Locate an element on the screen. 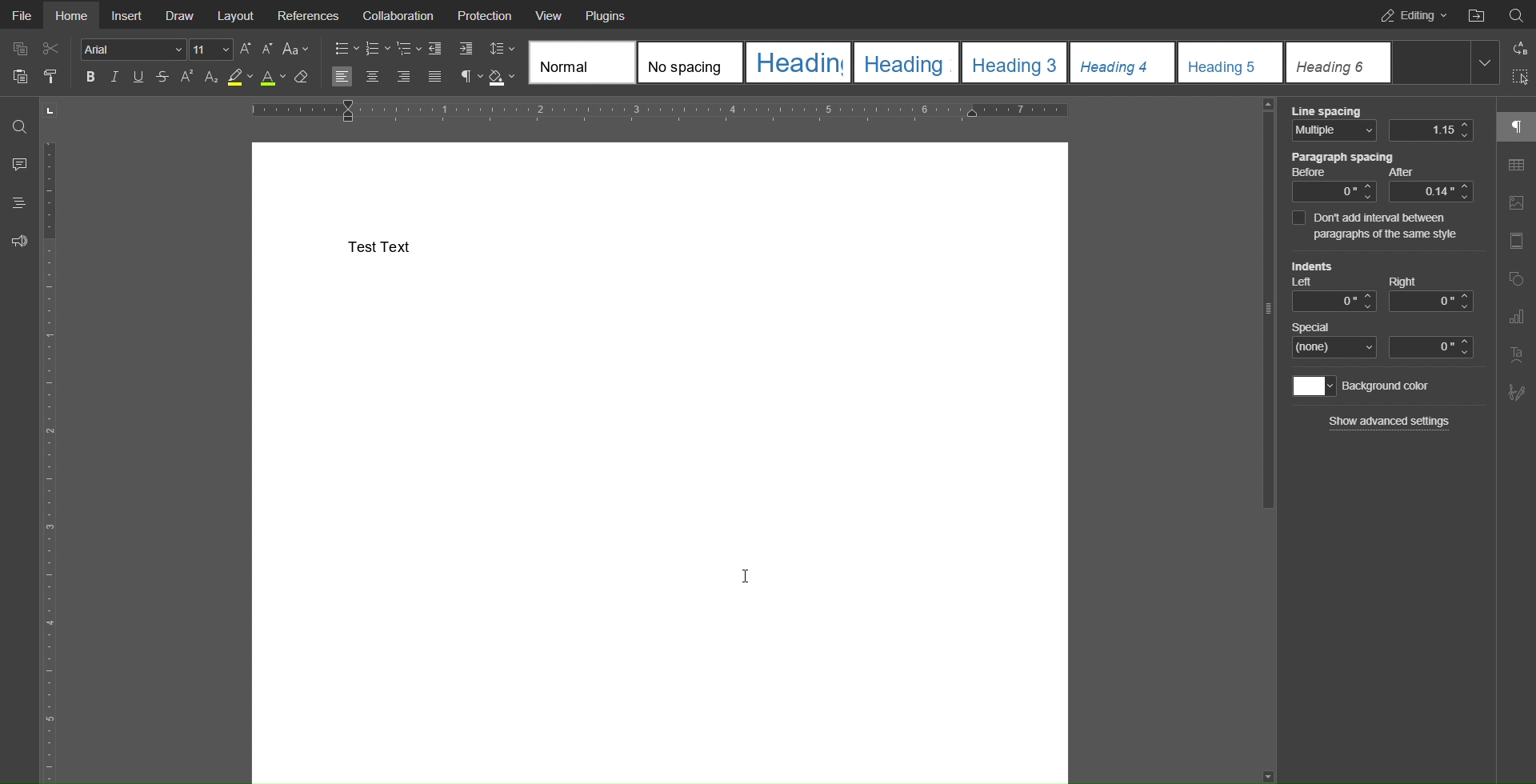 This screenshot has height=784, width=1536. Horizontal Ruler is located at coordinates (778, 114).